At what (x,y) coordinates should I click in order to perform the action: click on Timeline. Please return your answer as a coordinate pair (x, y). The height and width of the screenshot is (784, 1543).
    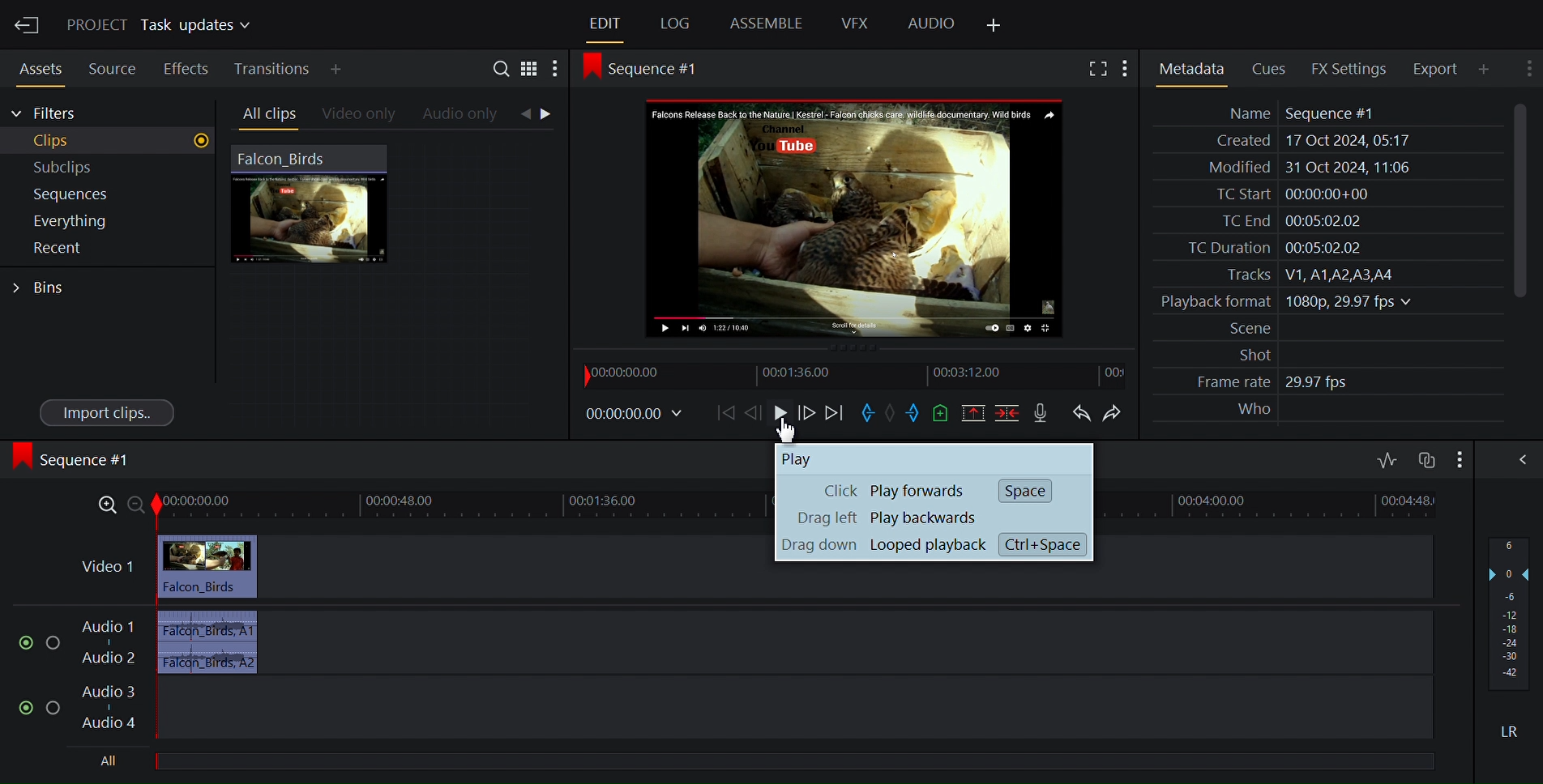
    Looking at the image, I should click on (855, 374).